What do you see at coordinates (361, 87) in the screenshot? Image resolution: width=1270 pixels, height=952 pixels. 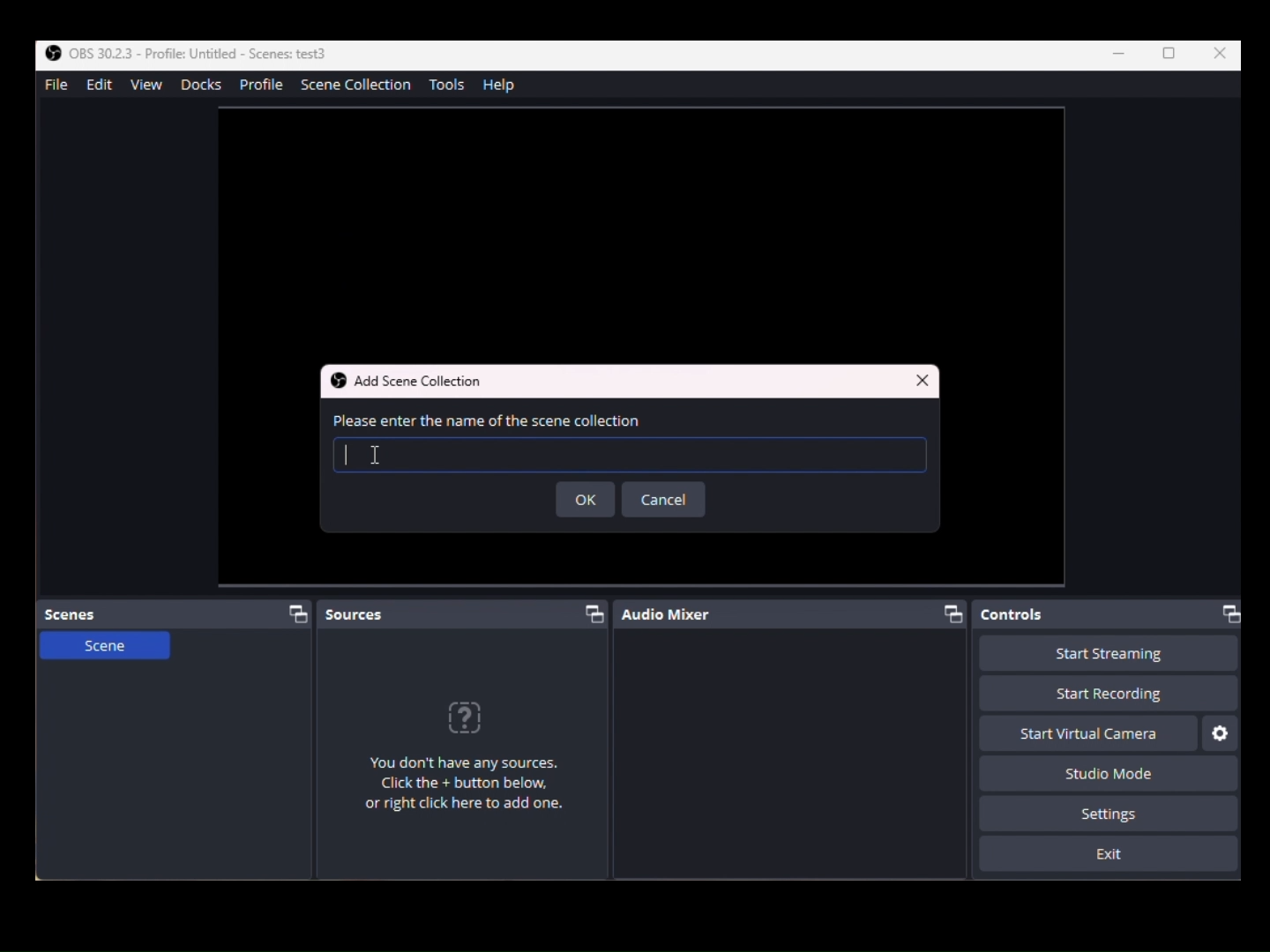 I see `SceneCollection` at bounding box center [361, 87].